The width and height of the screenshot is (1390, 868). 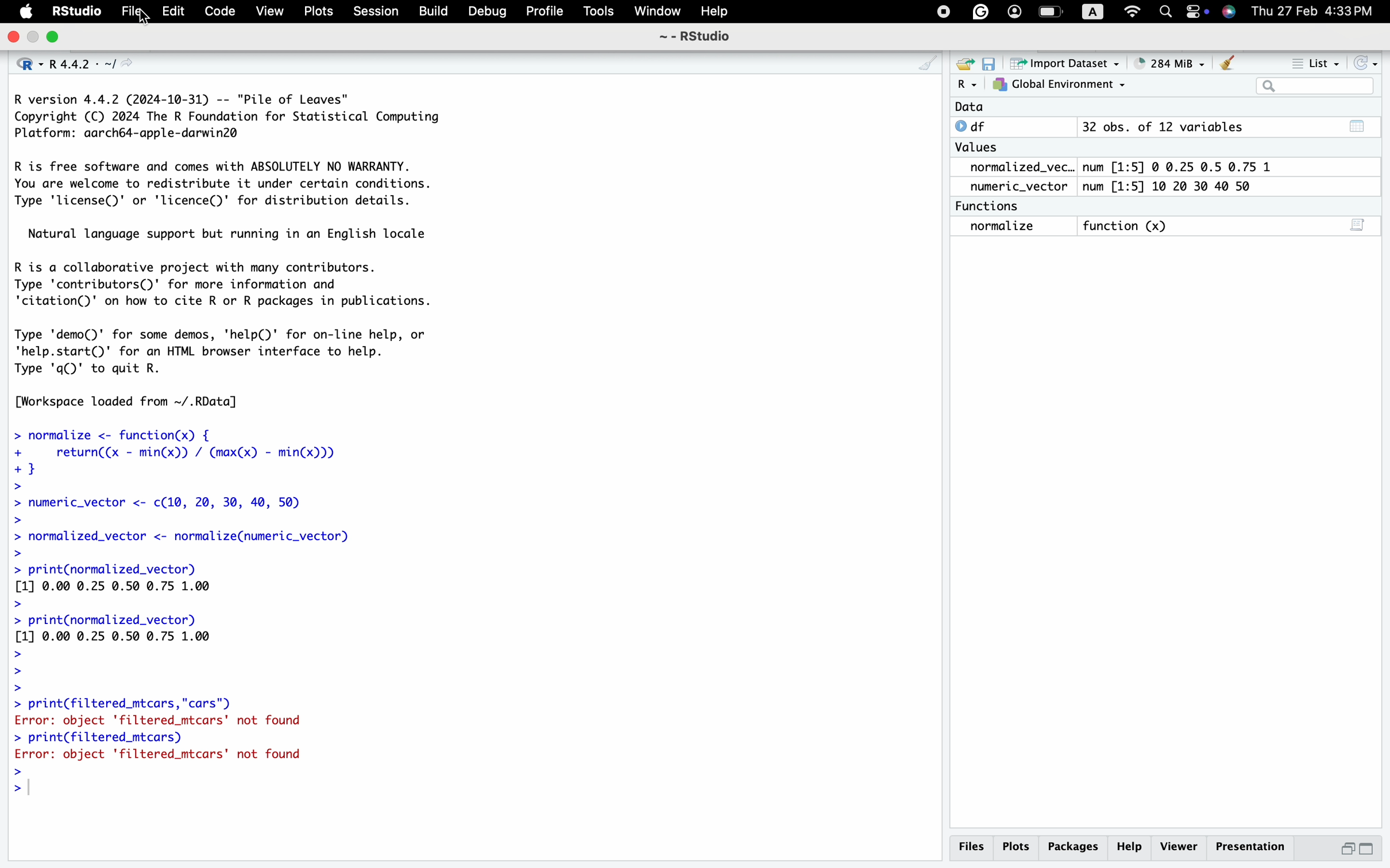 I want to click on open, so click(x=56, y=38).